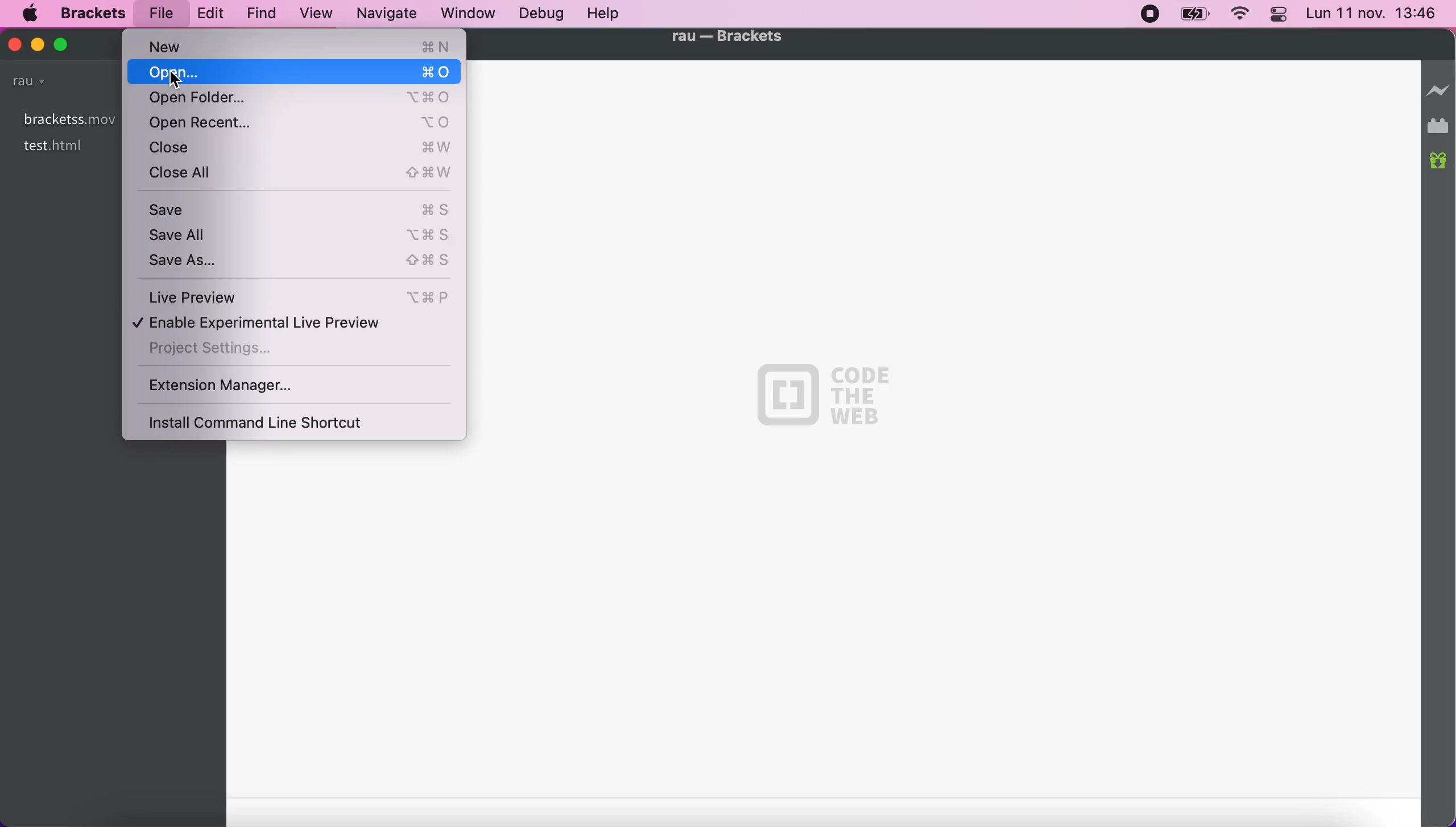 Image resolution: width=1456 pixels, height=827 pixels. What do you see at coordinates (297, 123) in the screenshot?
I see `open recent` at bounding box center [297, 123].